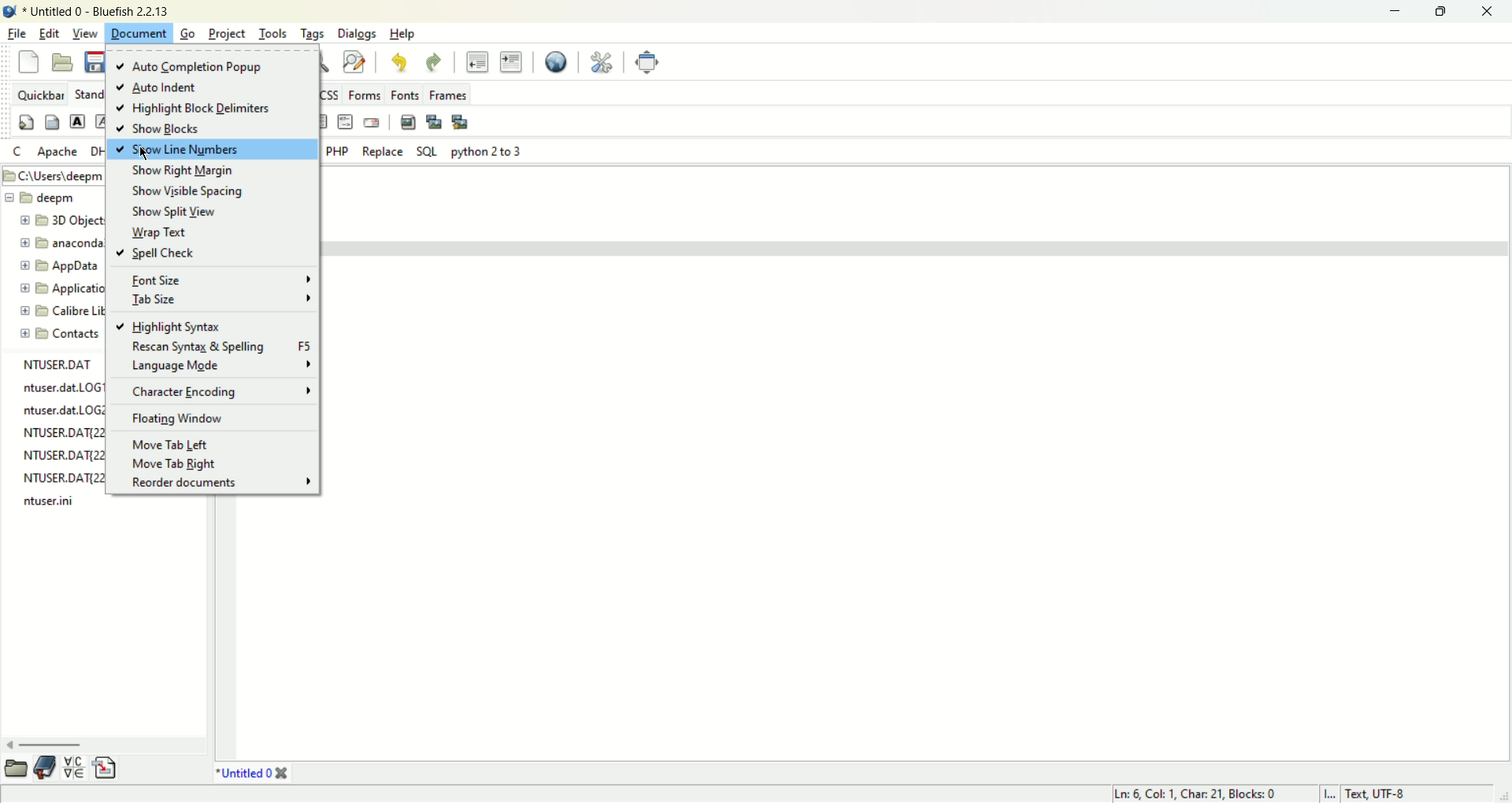 The width and height of the screenshot is (1512, 803). What do you see at coordinates (179, 419) in the screenshot?
I see `floating window` at bounding box center [179, 419].